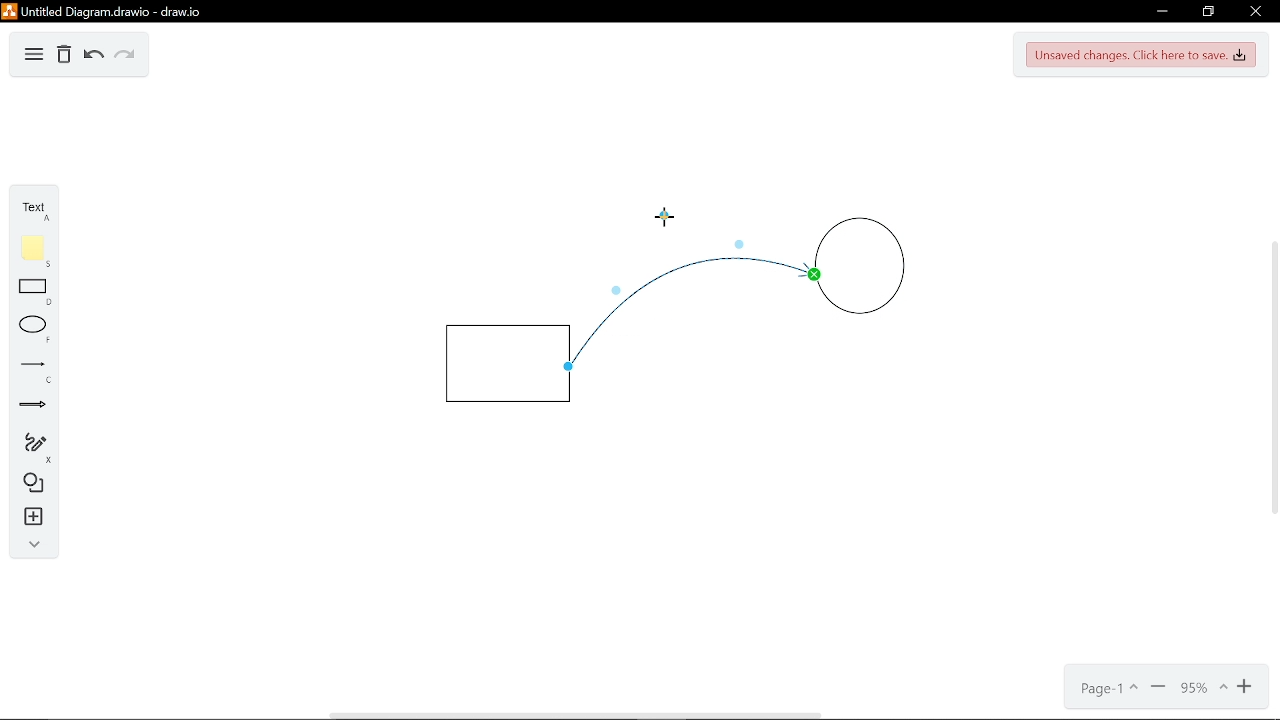  What do you see at coordinates (34, 56) in the screenshot?
I see `Diagram` at bounding box center [34, 56].